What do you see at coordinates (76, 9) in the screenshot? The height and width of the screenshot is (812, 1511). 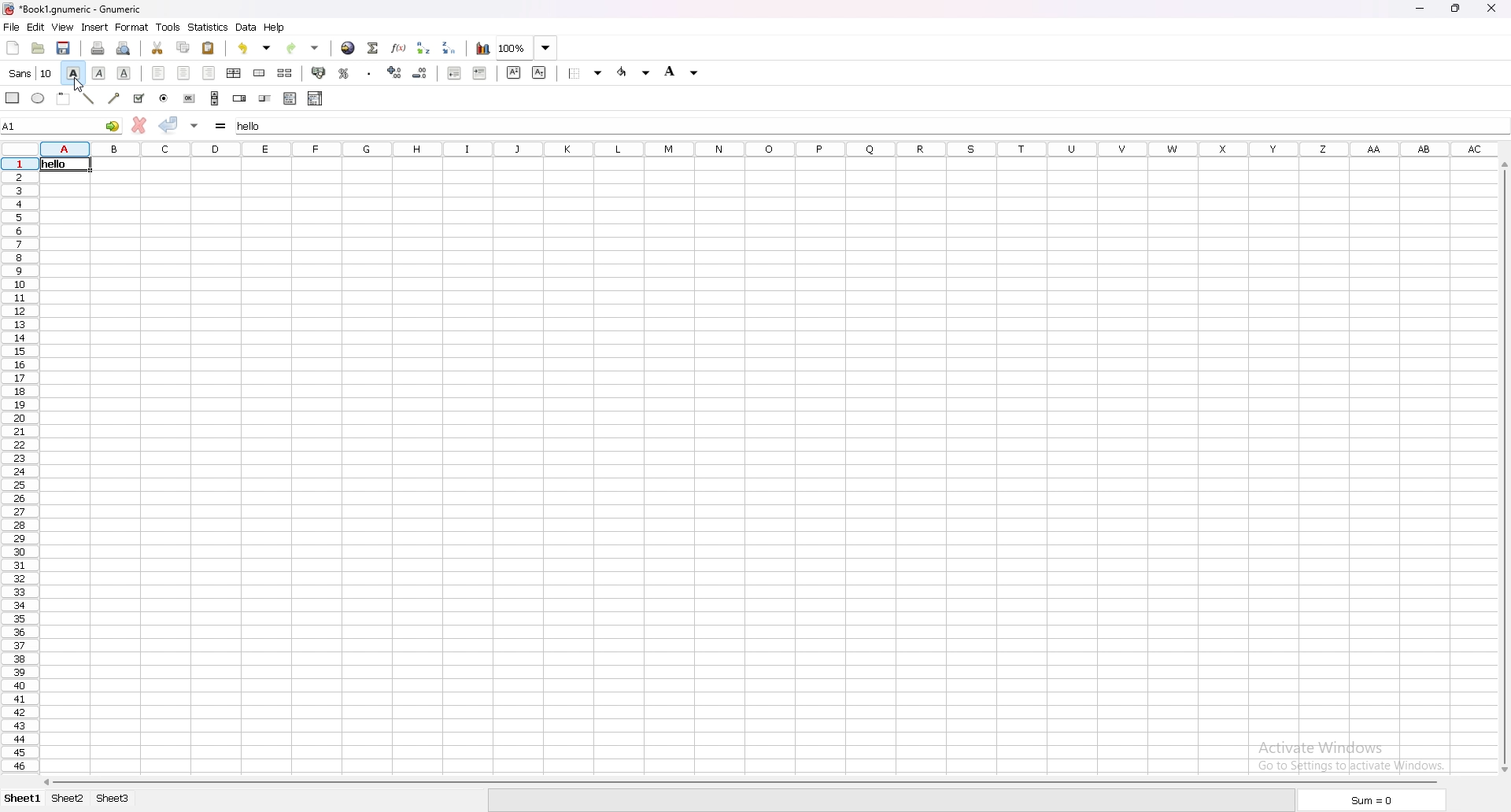 I see `Book1.gnumeric-Gnumeric` at bounding box center [76, 9].